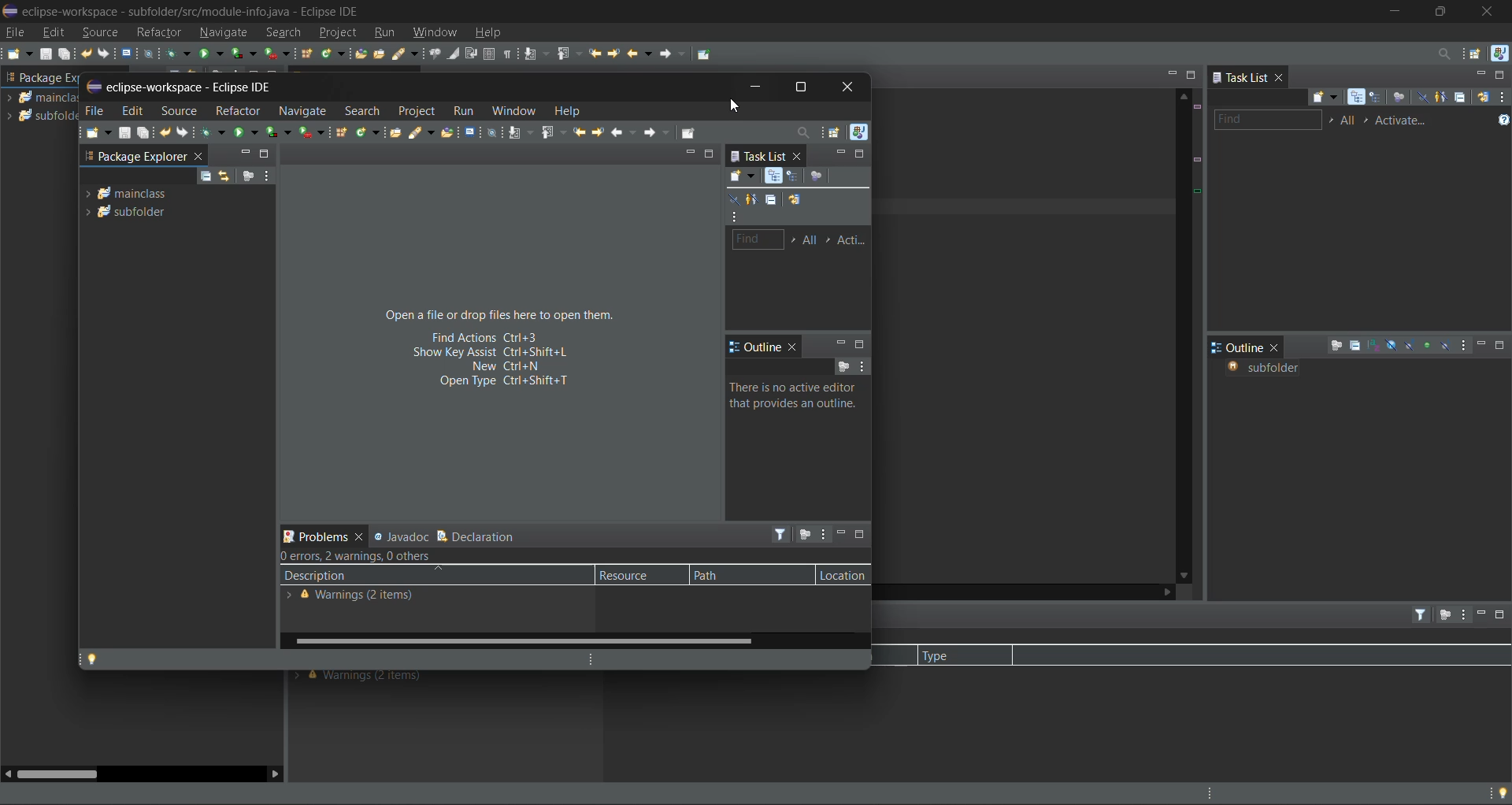 This screenshot has height=805, width=1512. Describe the element at coordinates (131, 196) in the screenshot. I see `module 1` at that location.